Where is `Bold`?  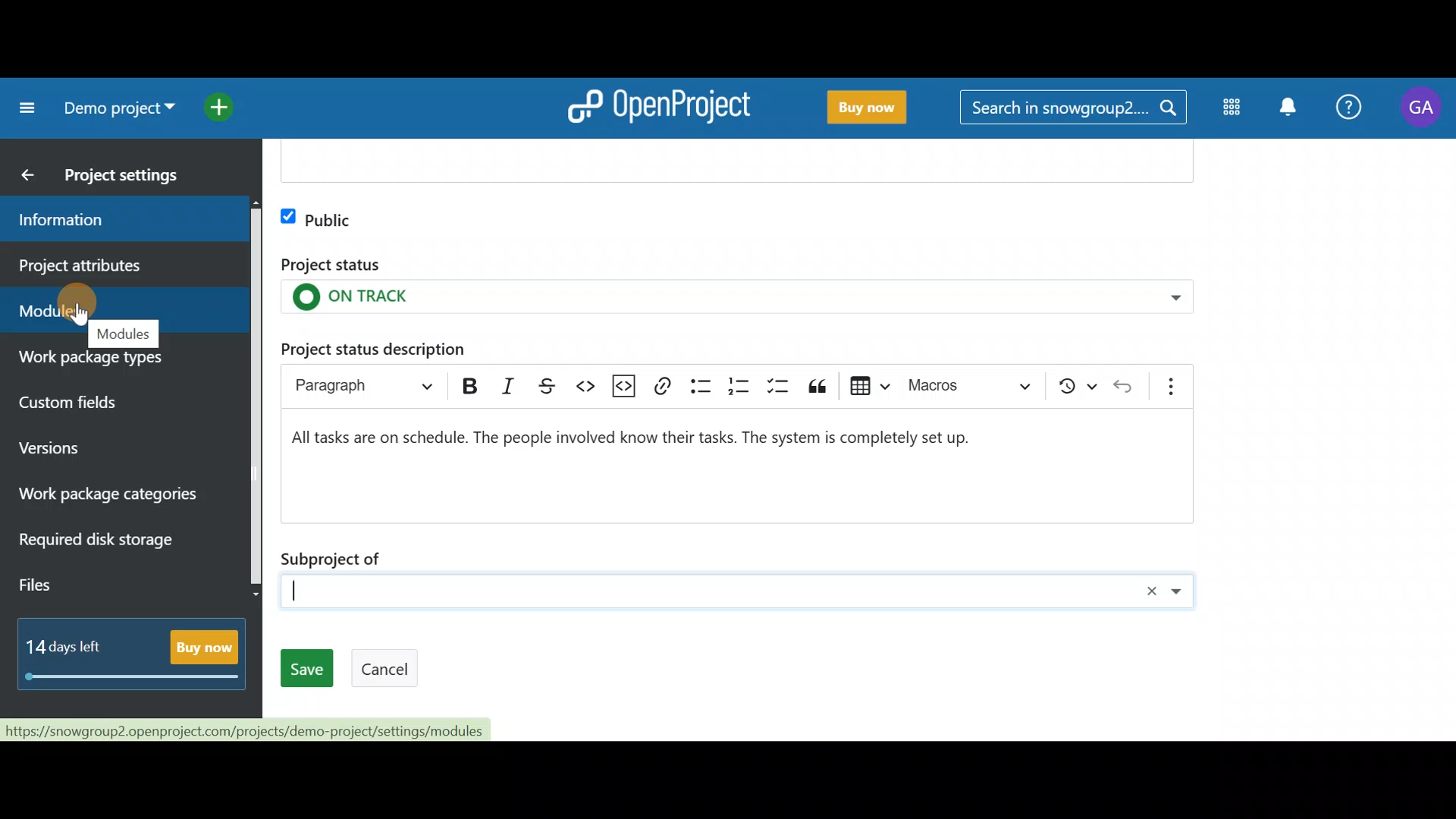
Bold is located at coordinates (467, 382).